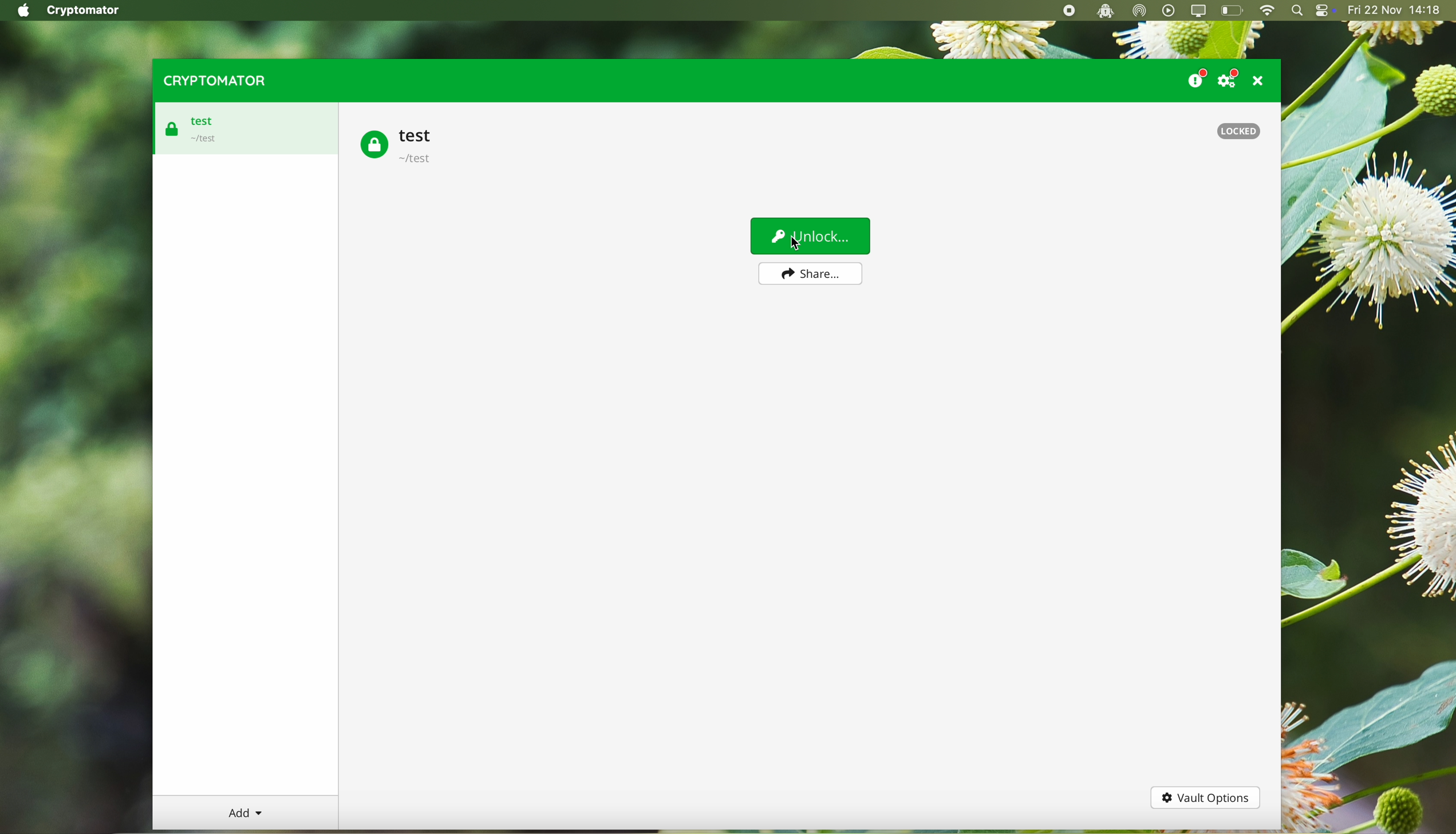  I want to click on test vault, so click(398, 145).